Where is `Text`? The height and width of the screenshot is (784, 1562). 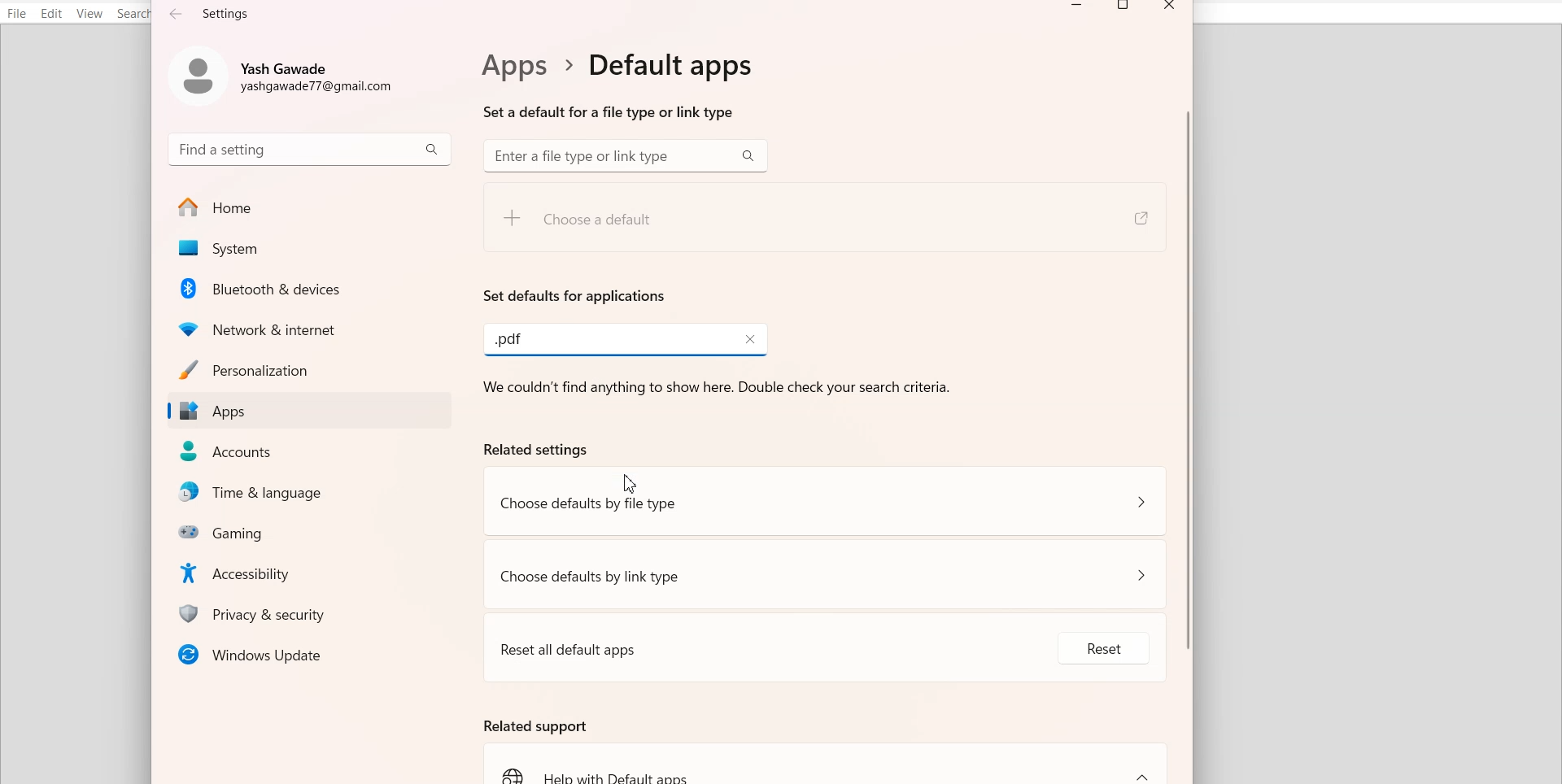
Text is located at coordinates (575, 295).